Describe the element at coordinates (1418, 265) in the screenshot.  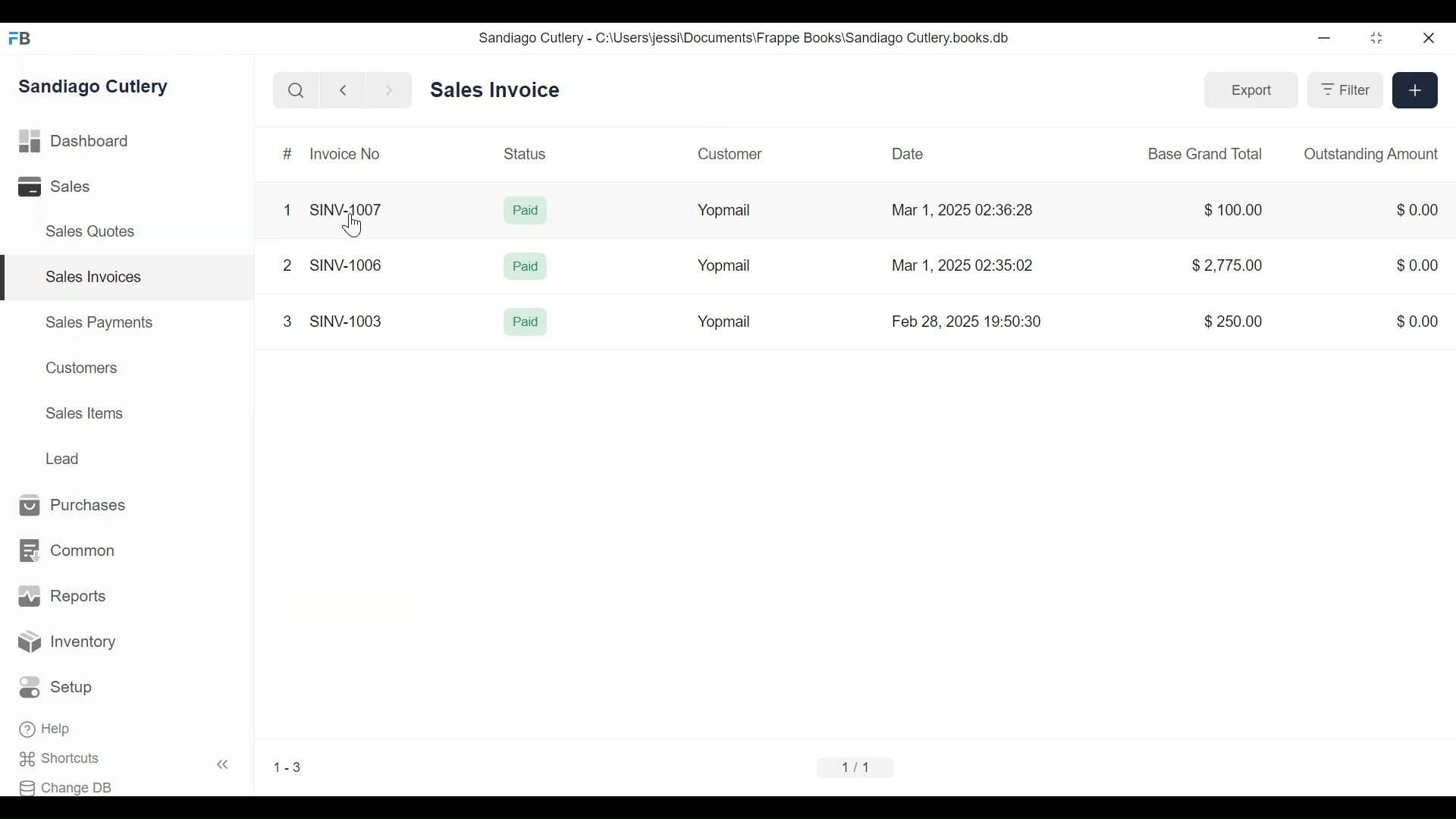
I see `$ 0.00` at that location.